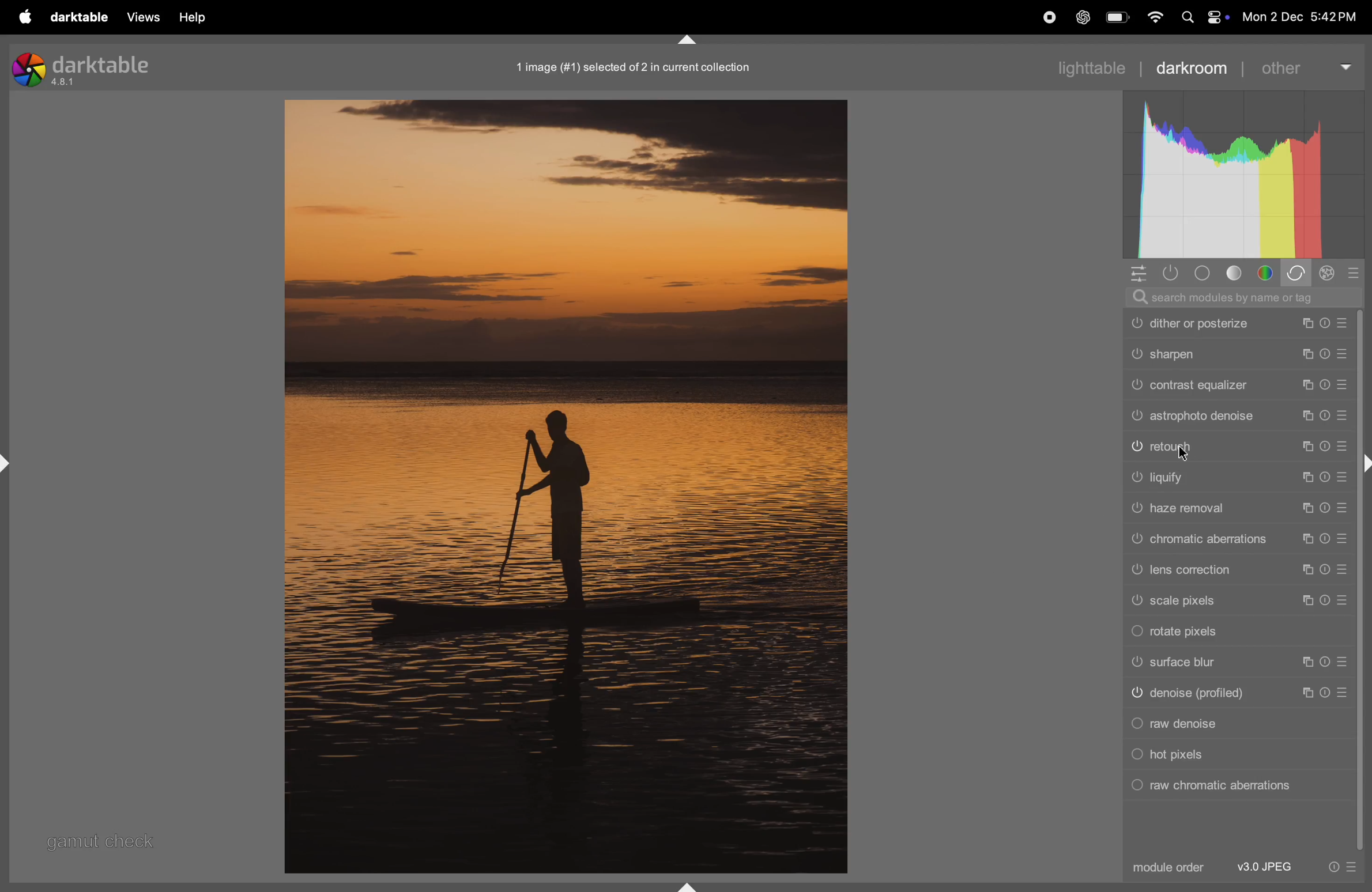  I want to click on lens correction, so click(1239, 569).